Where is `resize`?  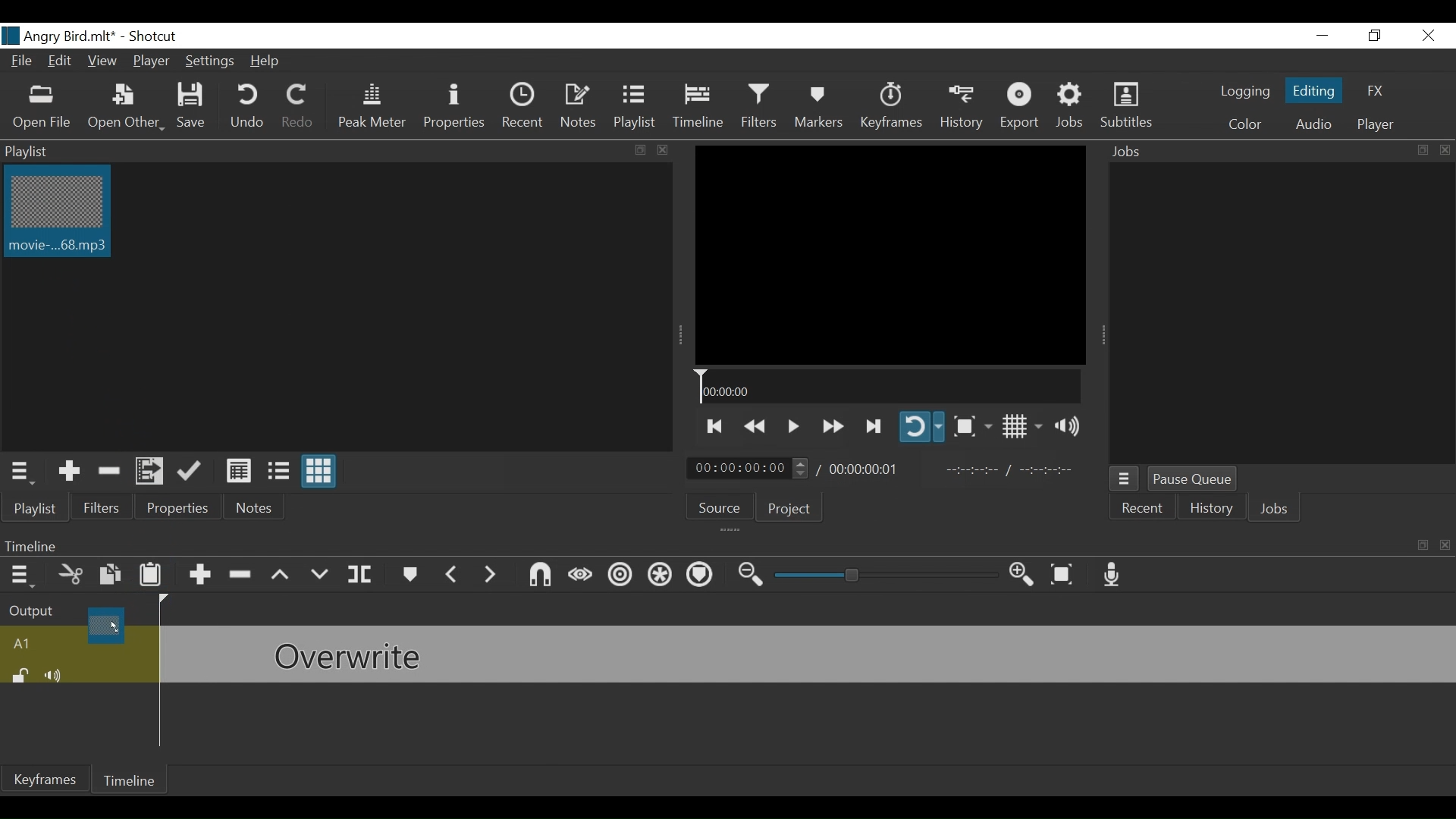 resize is located at coordinates (1421, 545).